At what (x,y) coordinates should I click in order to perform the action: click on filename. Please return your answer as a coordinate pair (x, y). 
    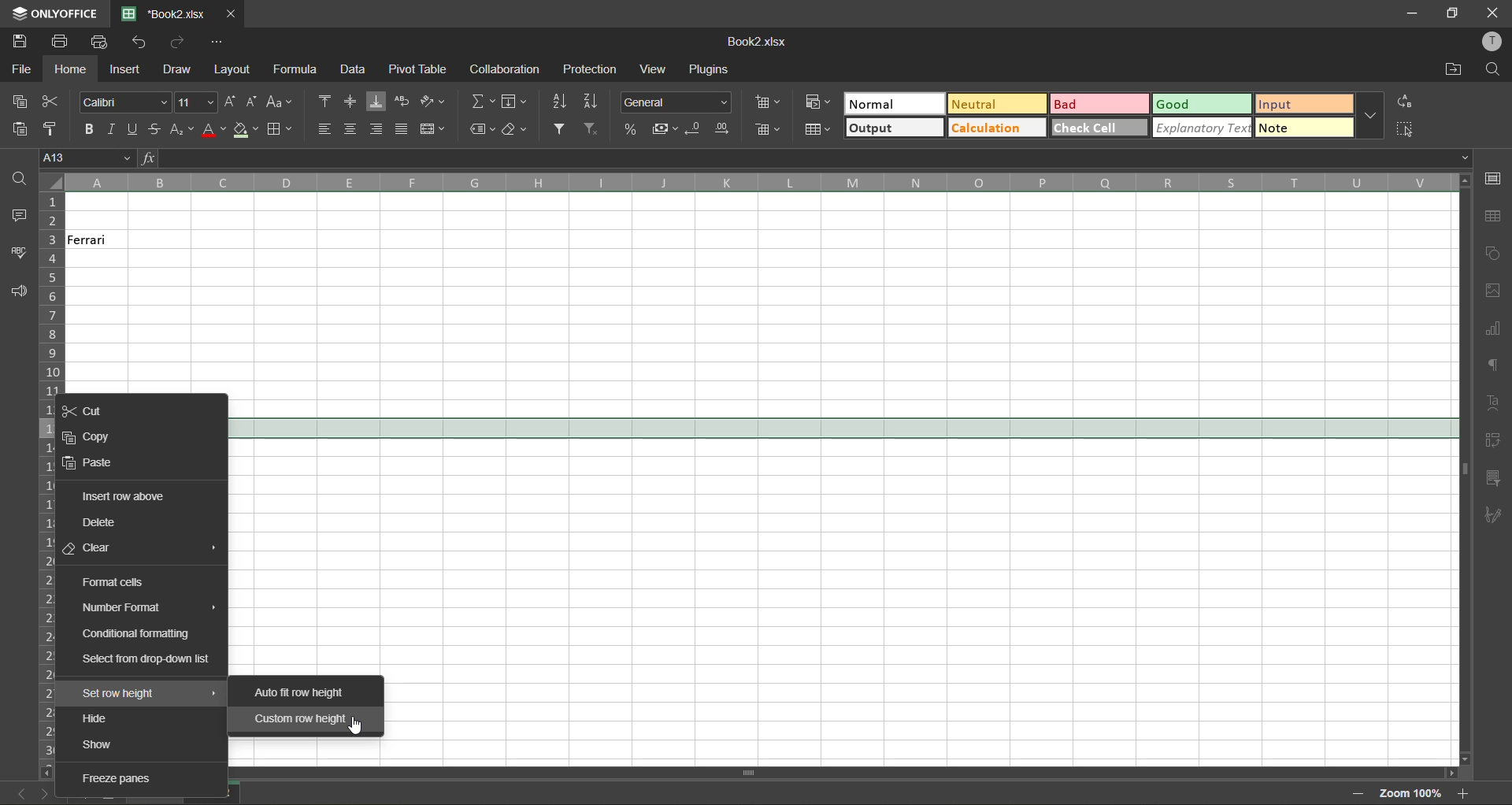
    Looking at the image, I should click on (170, 14).